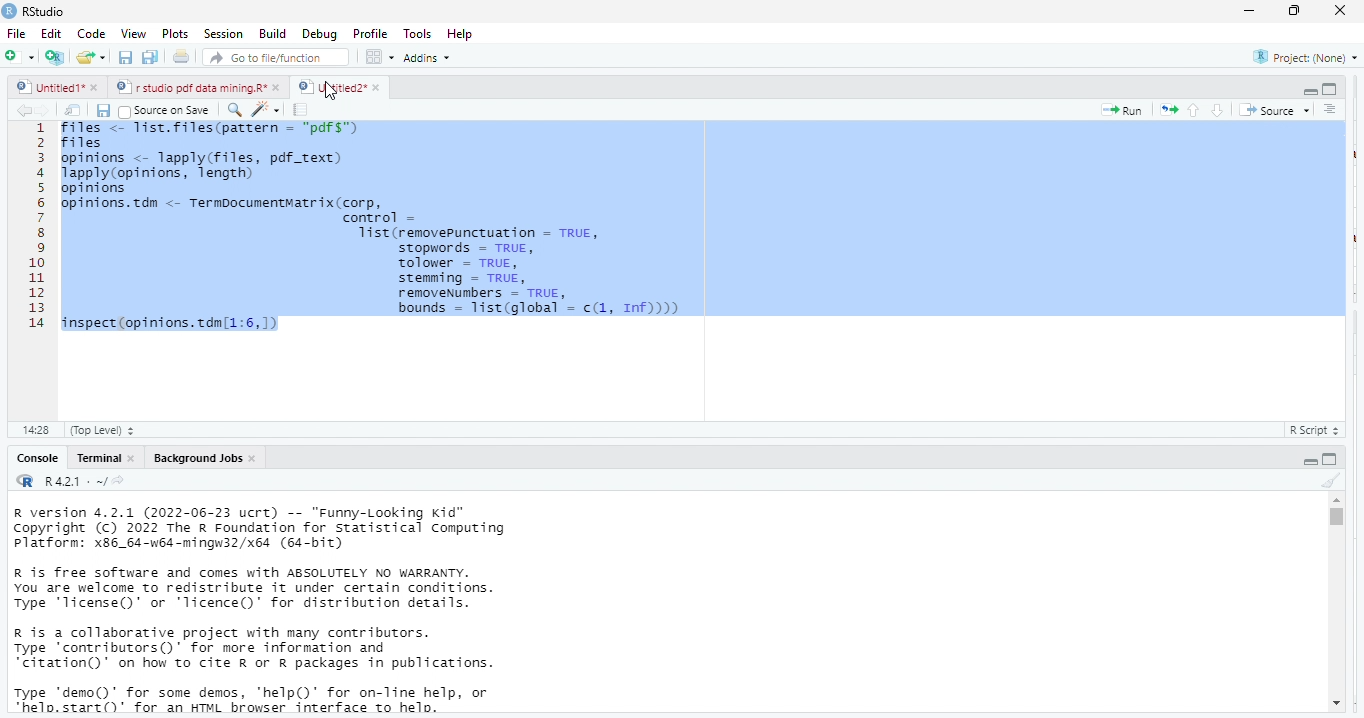 This screenshot has height=718, width=1364. What do you see at coordinates (1331, 458) in the screenshot?
I see `hide console` at bounding box center [1331, 458].